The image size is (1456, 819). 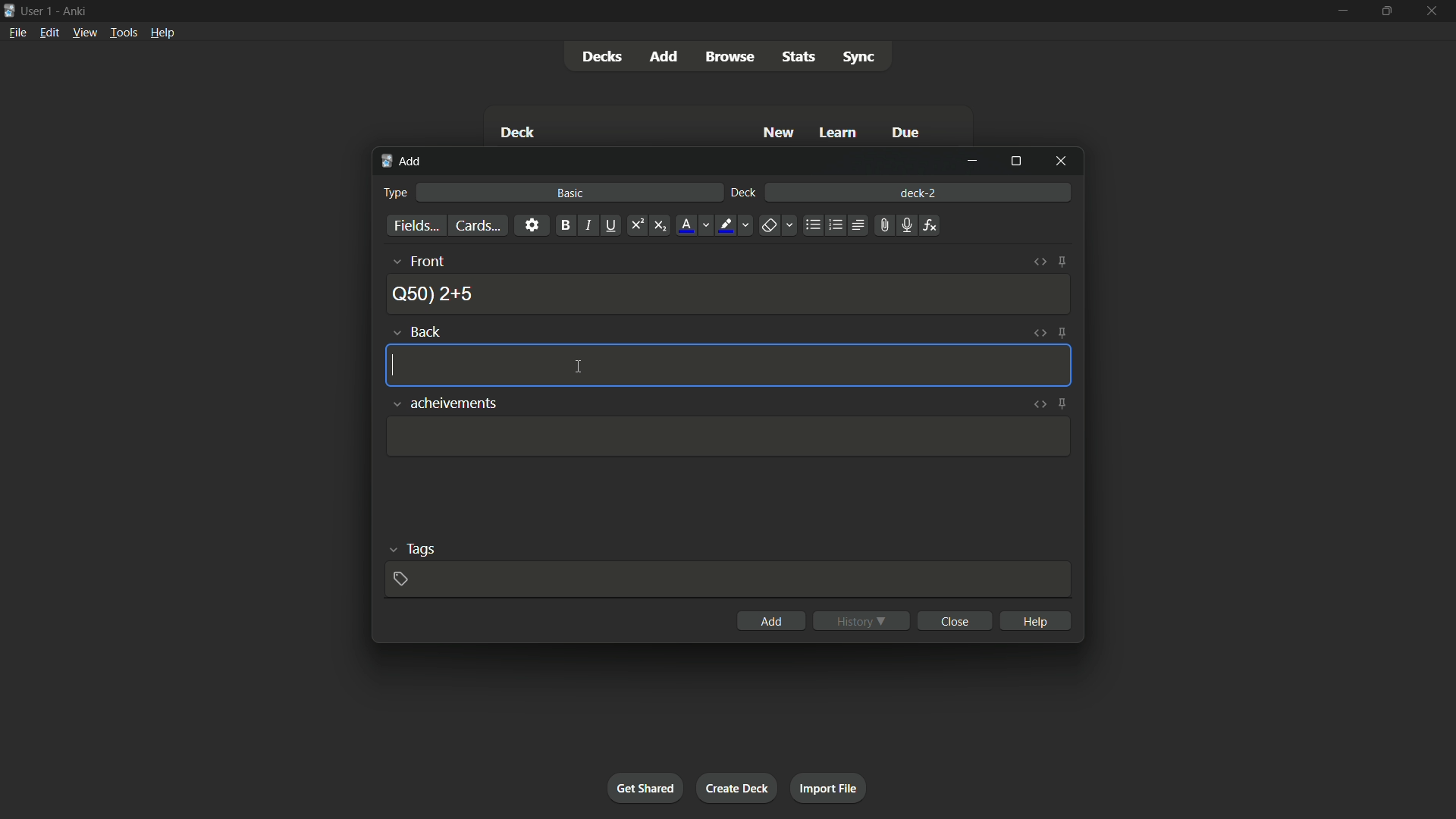 What do you see at coordinates (399, 579) in the screenshot?
I see `add tag` at bounding box center [399, 579].